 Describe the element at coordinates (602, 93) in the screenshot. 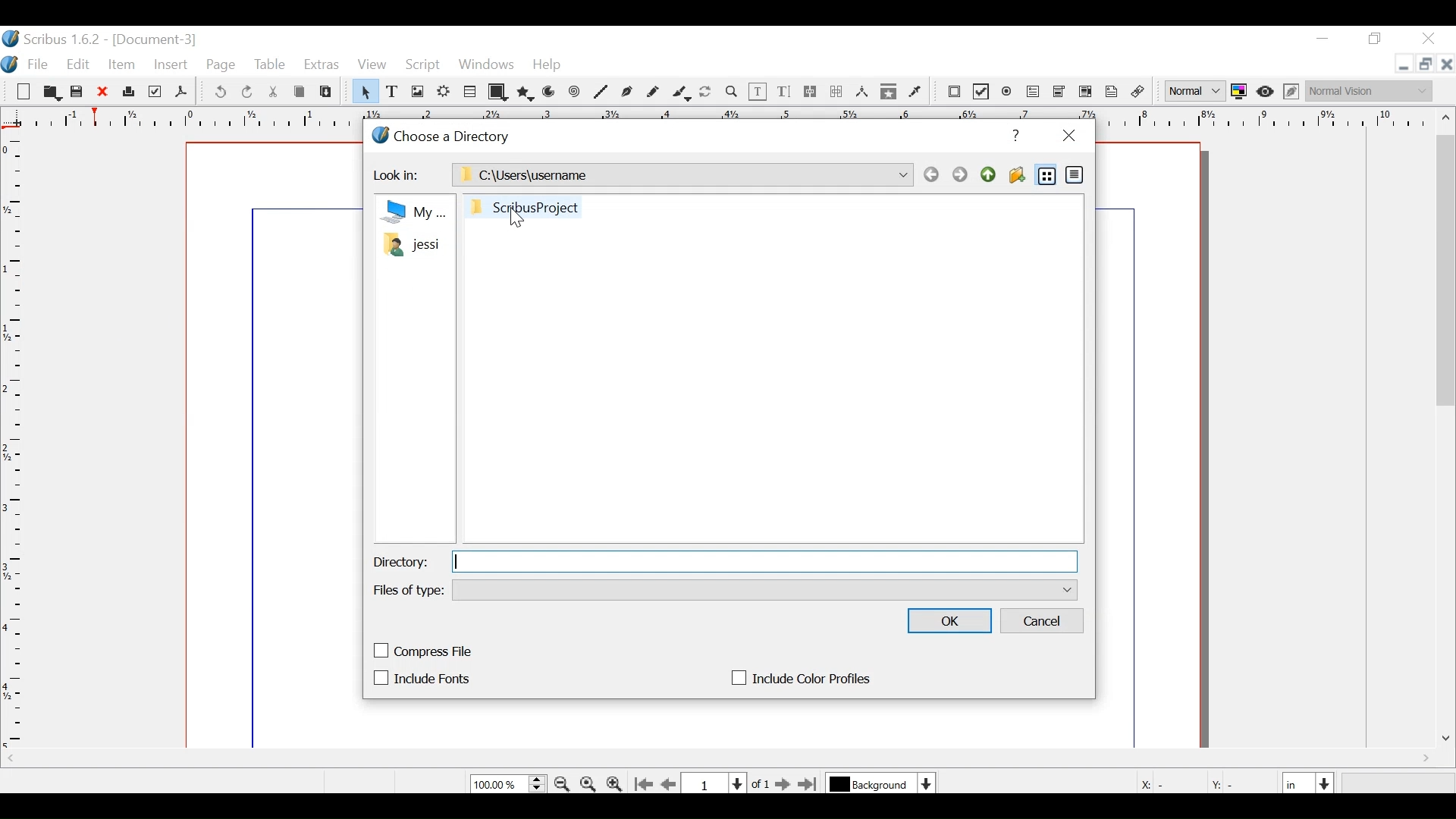

I see `Line` at that location.